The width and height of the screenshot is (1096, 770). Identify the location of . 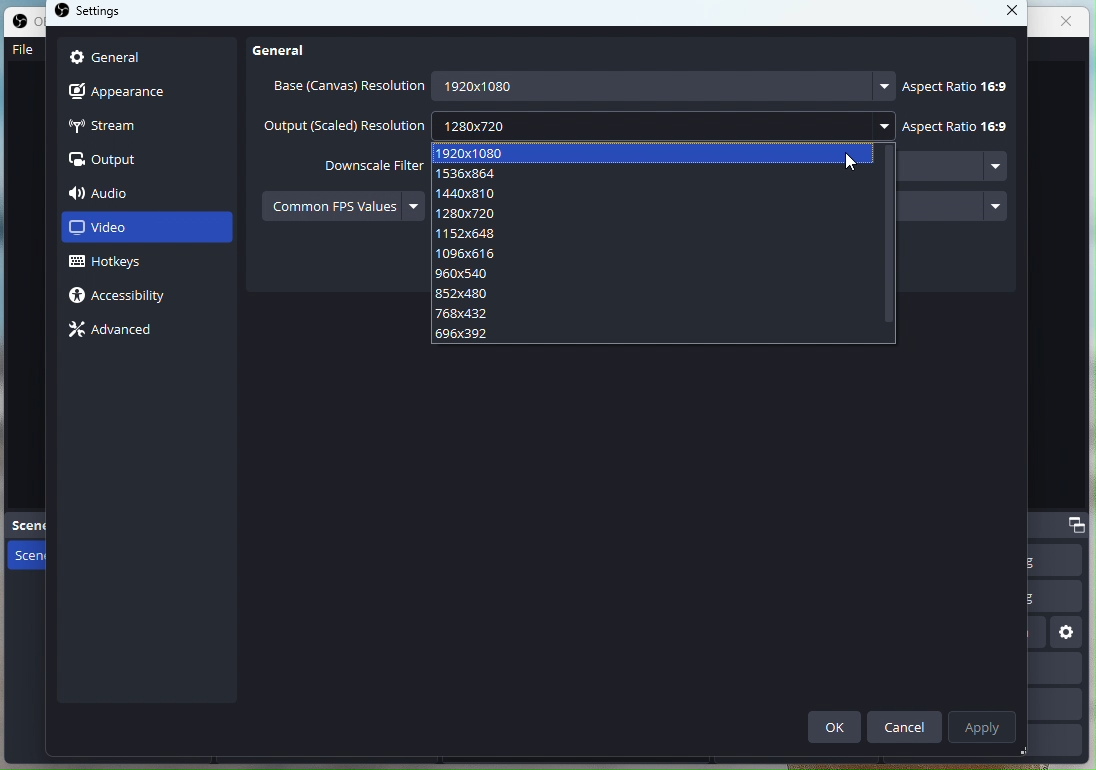
(993, 167).